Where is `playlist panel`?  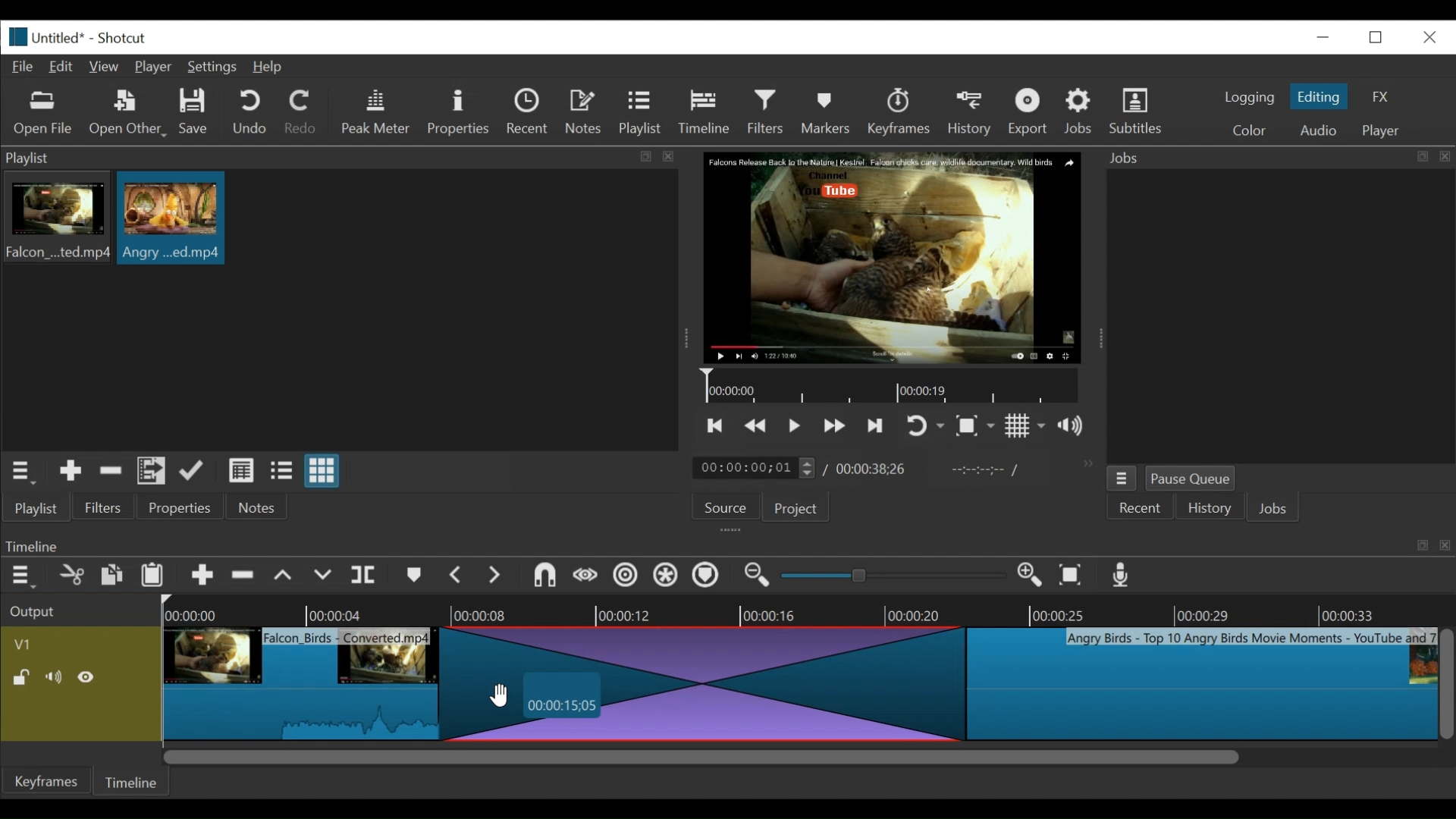 playlist panel is located at coordinates (334, 158).